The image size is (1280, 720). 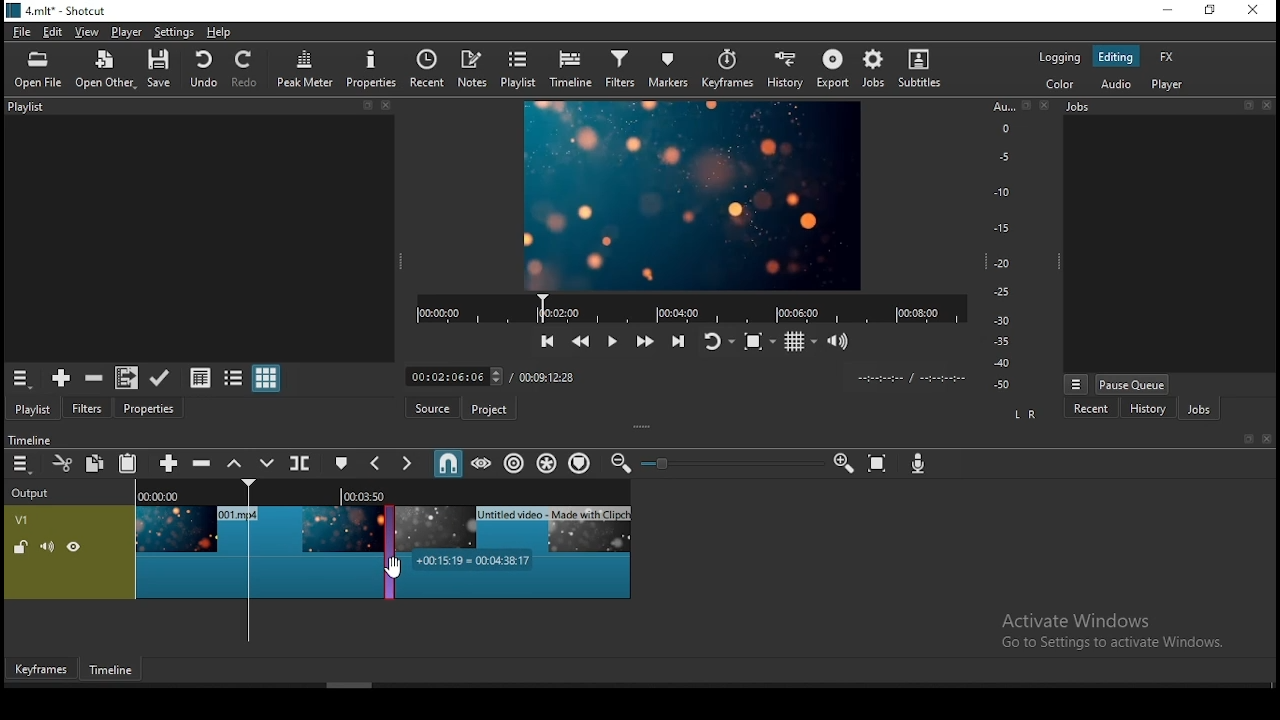 What do you see at coordinates (384, 548) in the screenshot?
I see `transitionJobs` at bounding box center [384, 548].